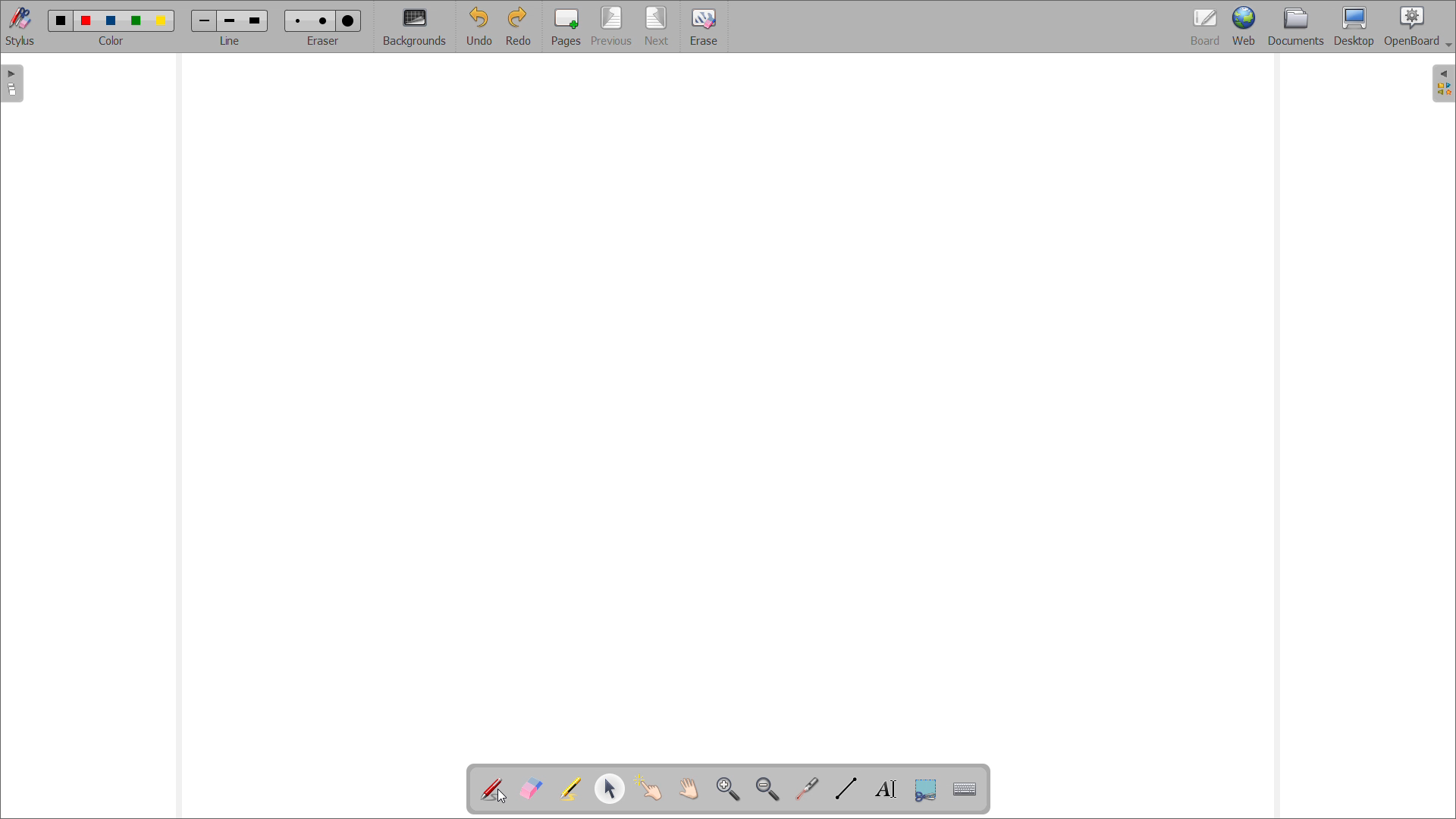 Image resolution: width=1456 pixels, height=819 pixels. What do you see at coordinates (479, 26) in the screenshot?
I see `undo` at bounding box center [479, 26].